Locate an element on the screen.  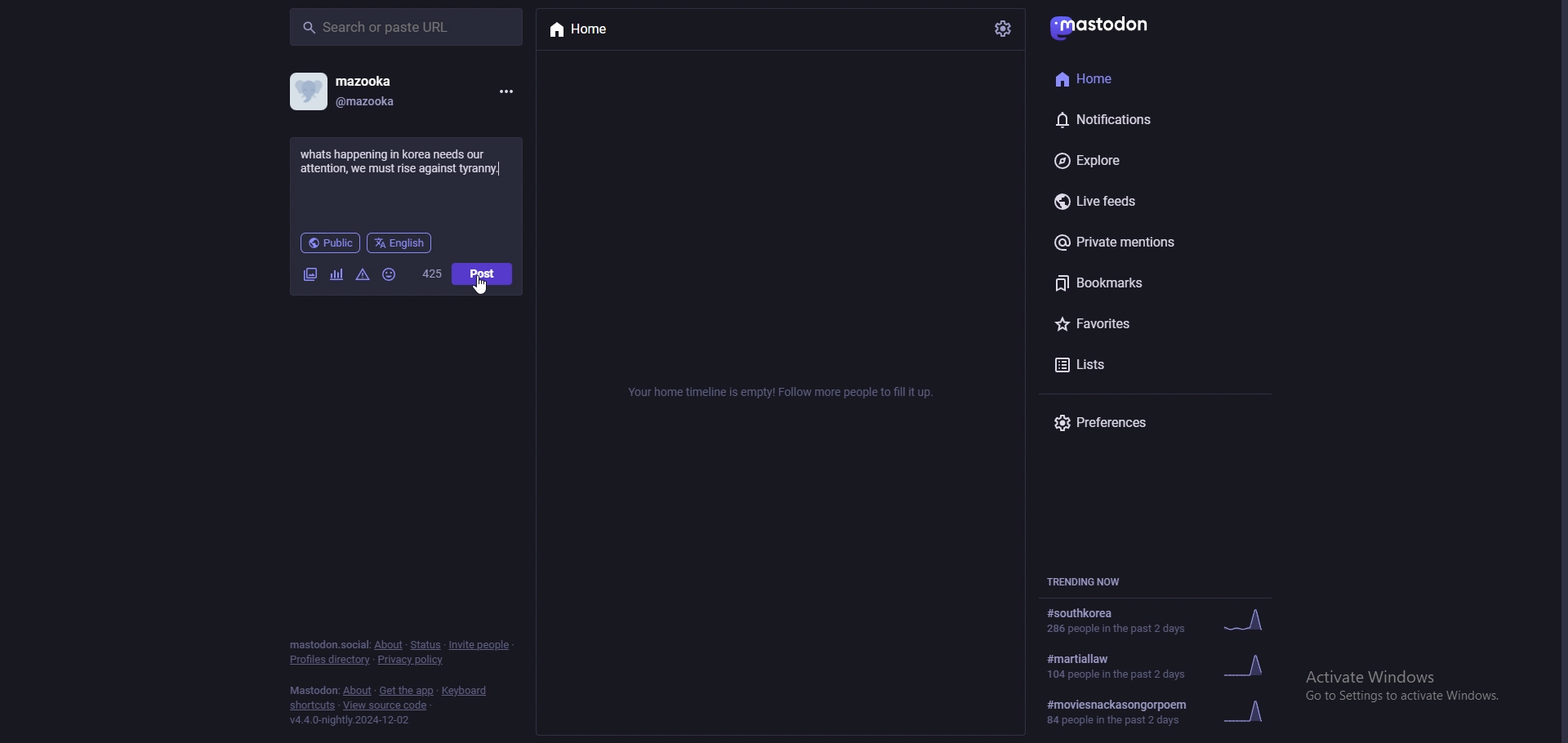
word limit is located at coordinates (433, 274).